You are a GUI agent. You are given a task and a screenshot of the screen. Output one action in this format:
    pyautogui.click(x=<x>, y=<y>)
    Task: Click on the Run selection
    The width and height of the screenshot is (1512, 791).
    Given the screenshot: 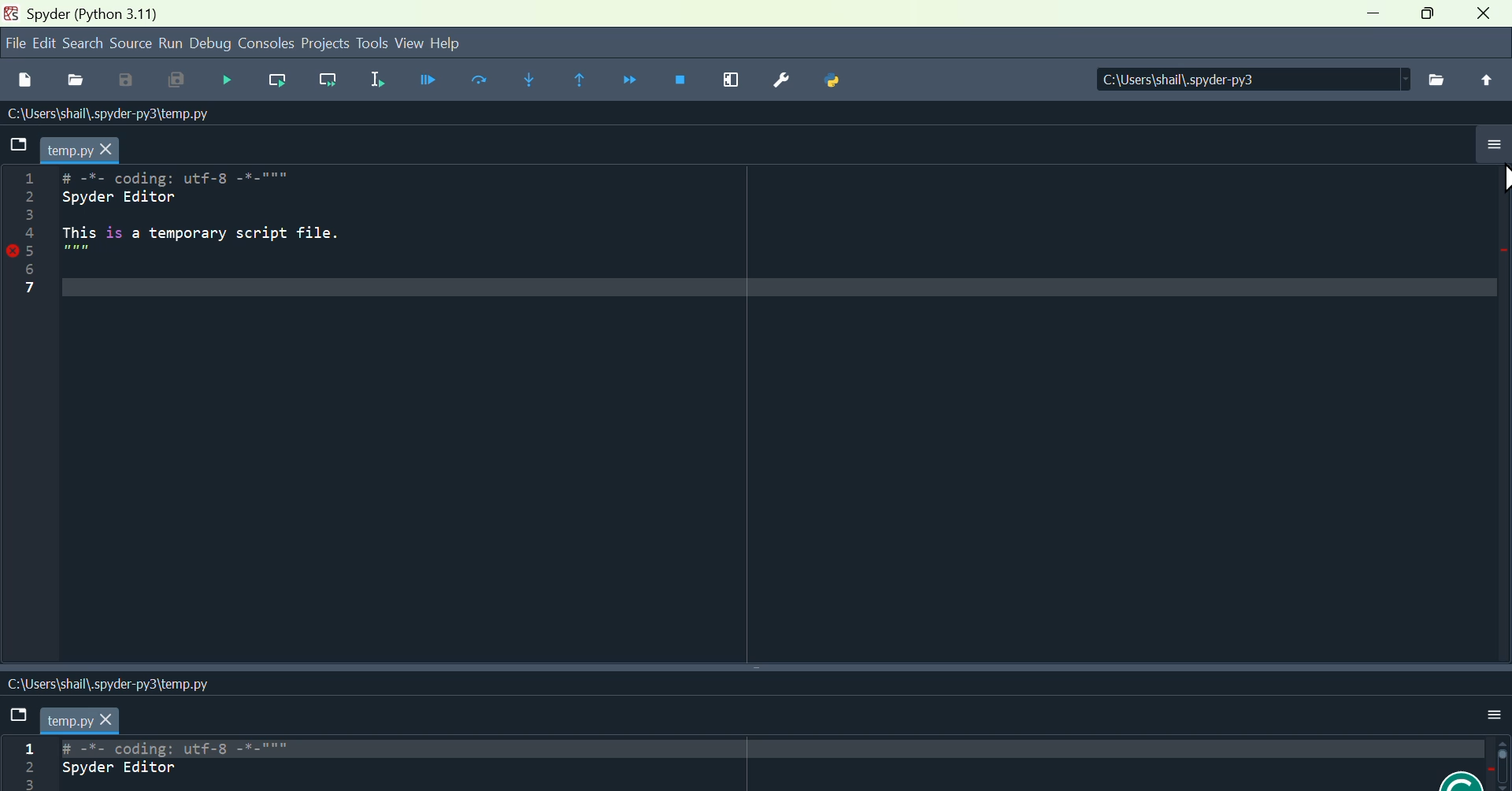 What is the action you would take?
    pyautogui.click(x=374, y=83)
    